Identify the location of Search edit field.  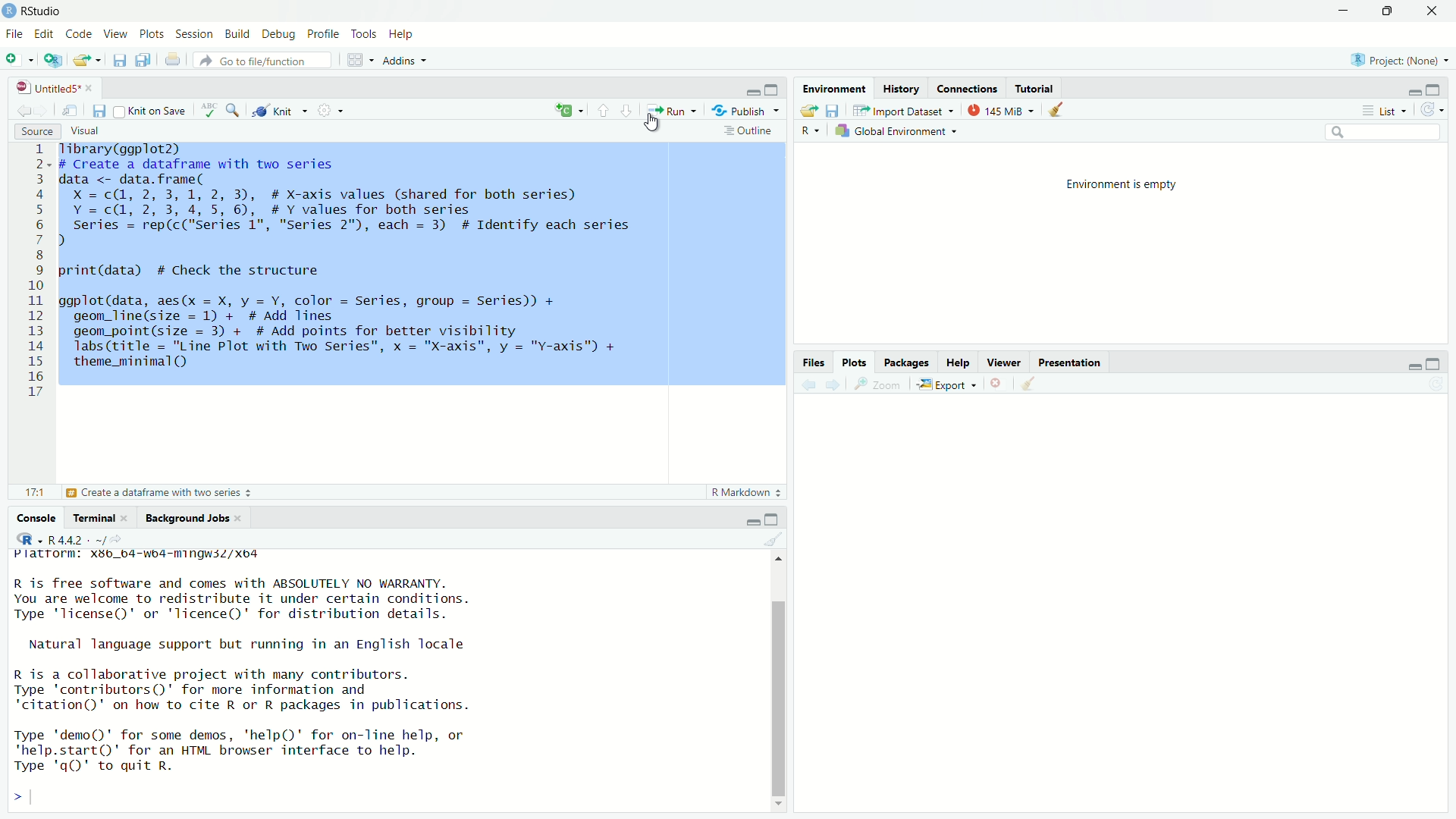
(1386, 133).